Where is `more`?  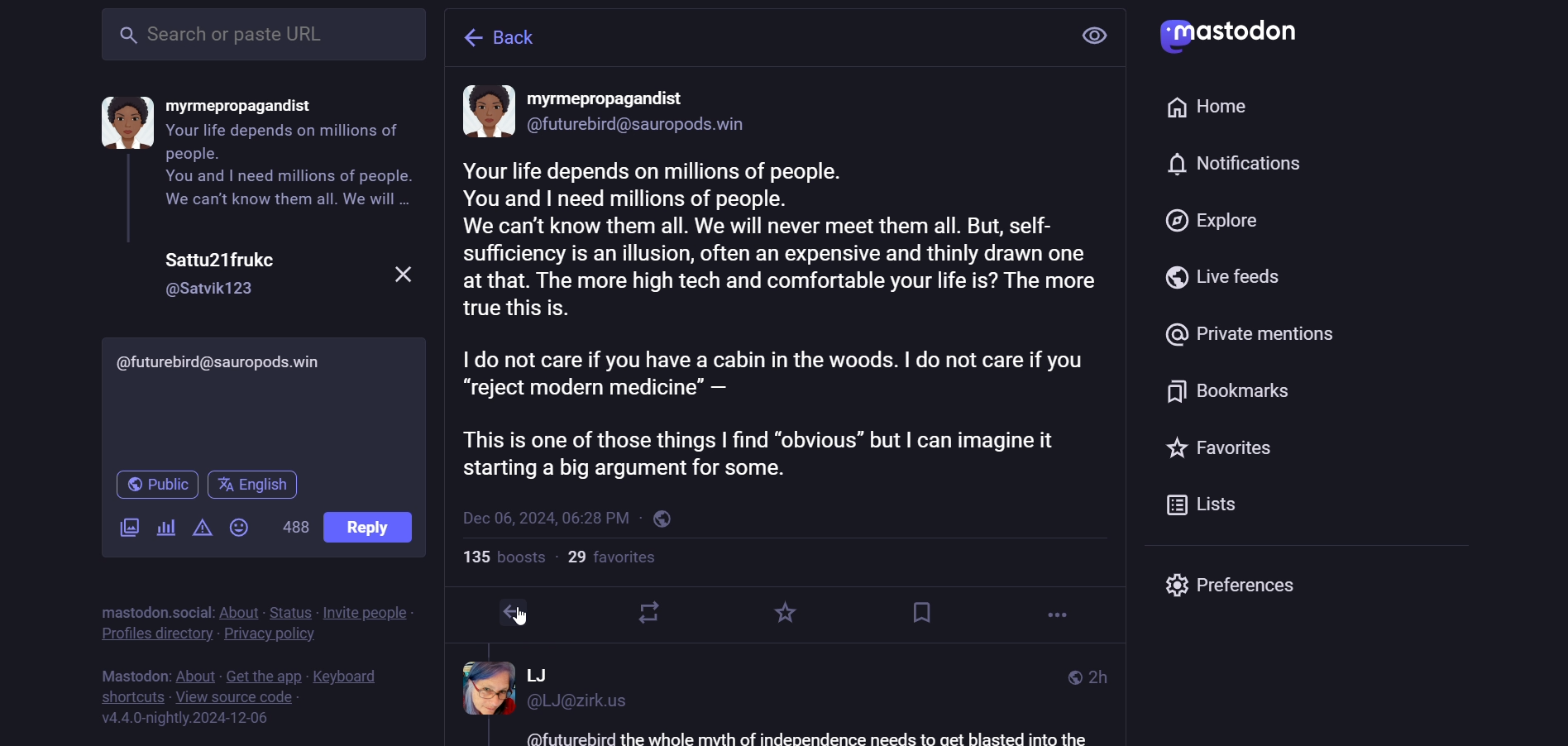 more is located at coordinates (1054, 615).